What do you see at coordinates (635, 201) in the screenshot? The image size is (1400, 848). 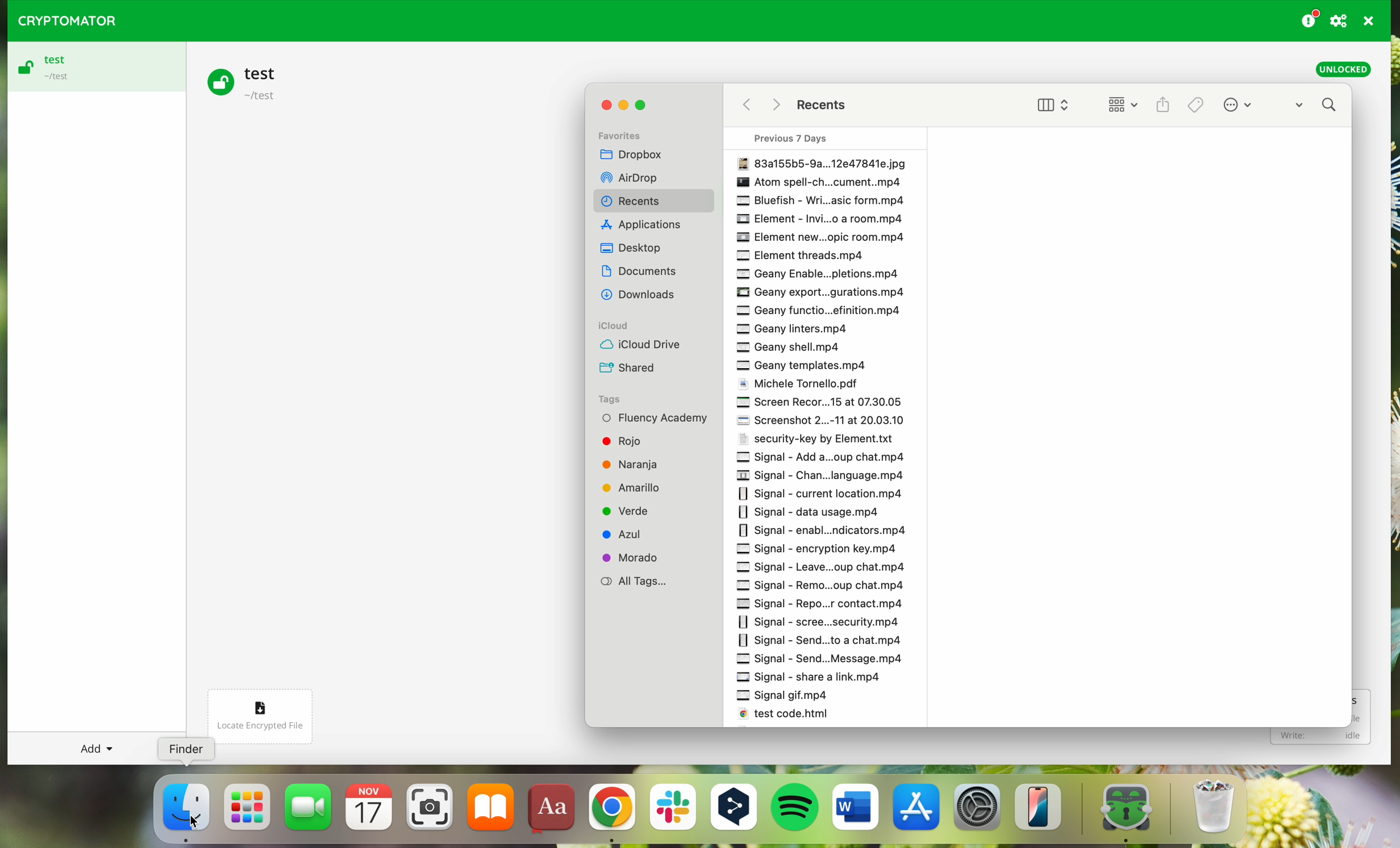 I see `Recents` at bounding box center [635, 201].